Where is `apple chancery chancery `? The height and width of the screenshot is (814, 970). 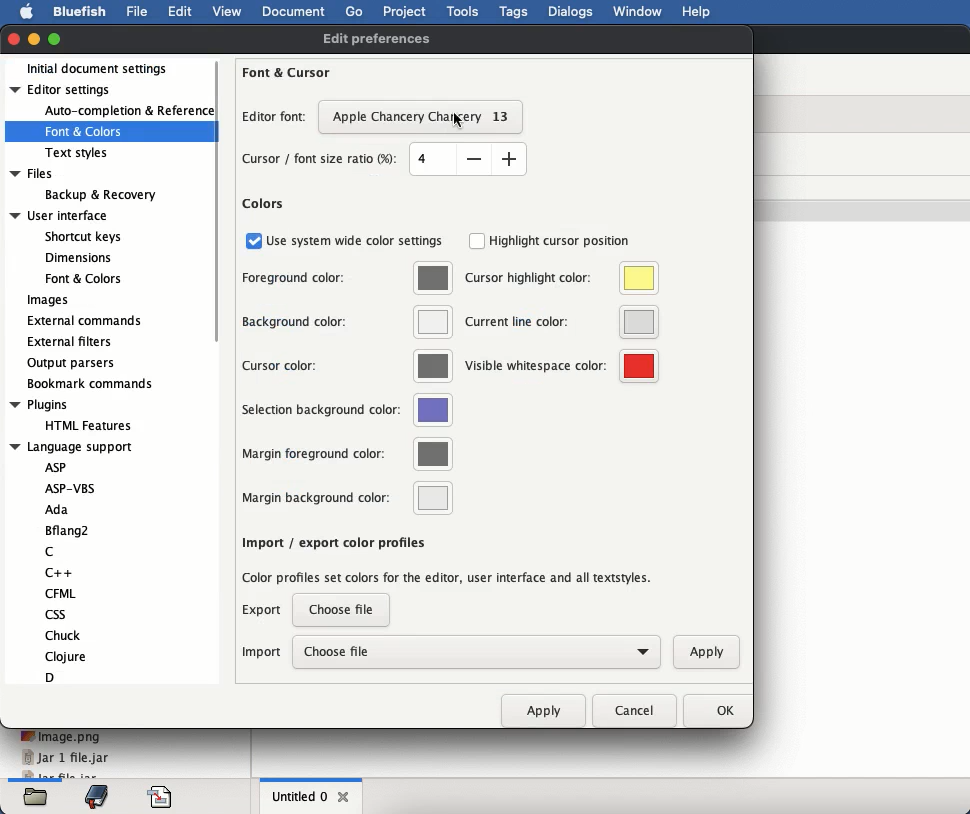
apple chancery chancery  is located at coordinates (424, 117).